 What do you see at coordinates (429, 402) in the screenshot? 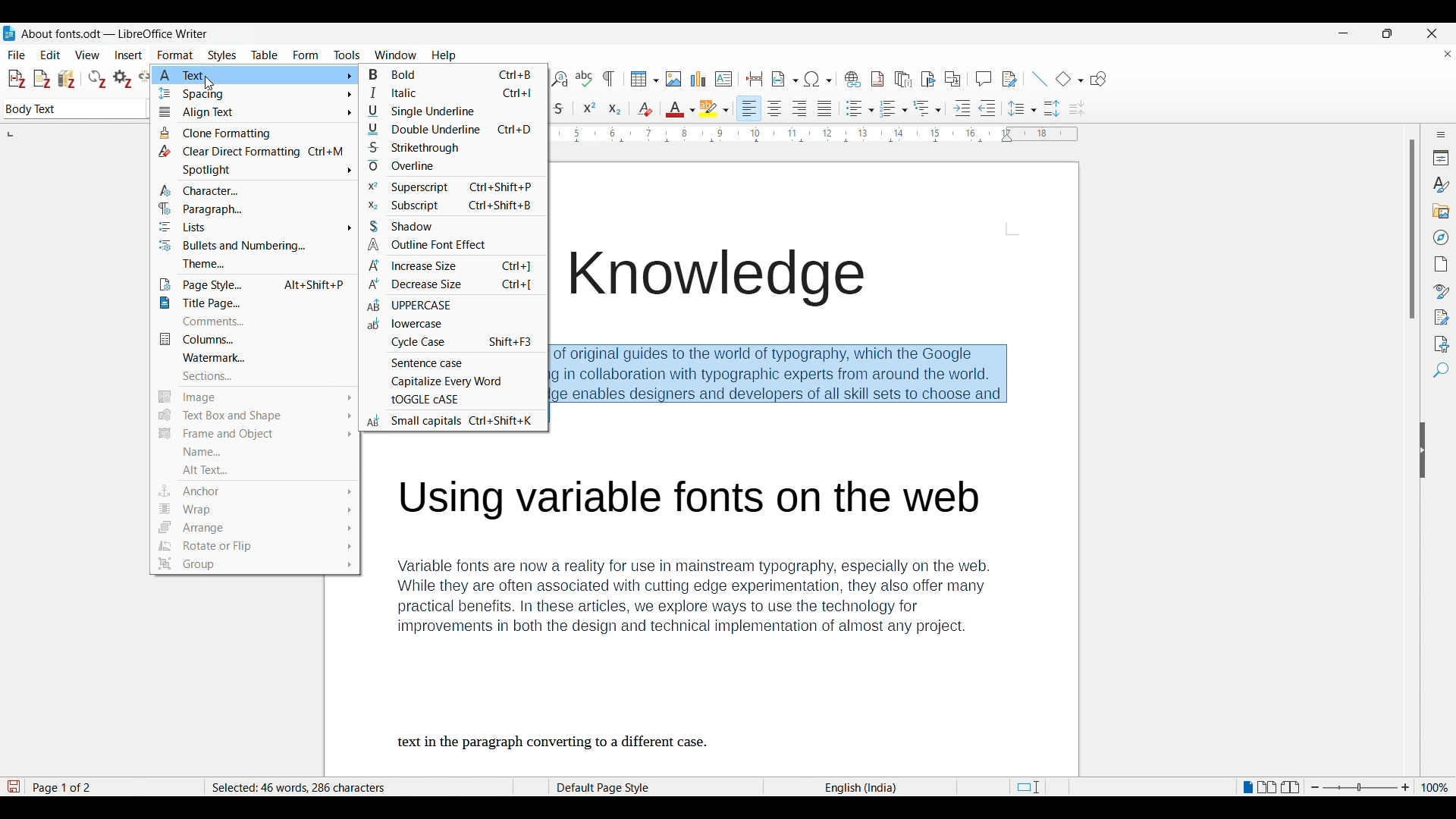
I see `toggle case` at bounding box center [429, 402].